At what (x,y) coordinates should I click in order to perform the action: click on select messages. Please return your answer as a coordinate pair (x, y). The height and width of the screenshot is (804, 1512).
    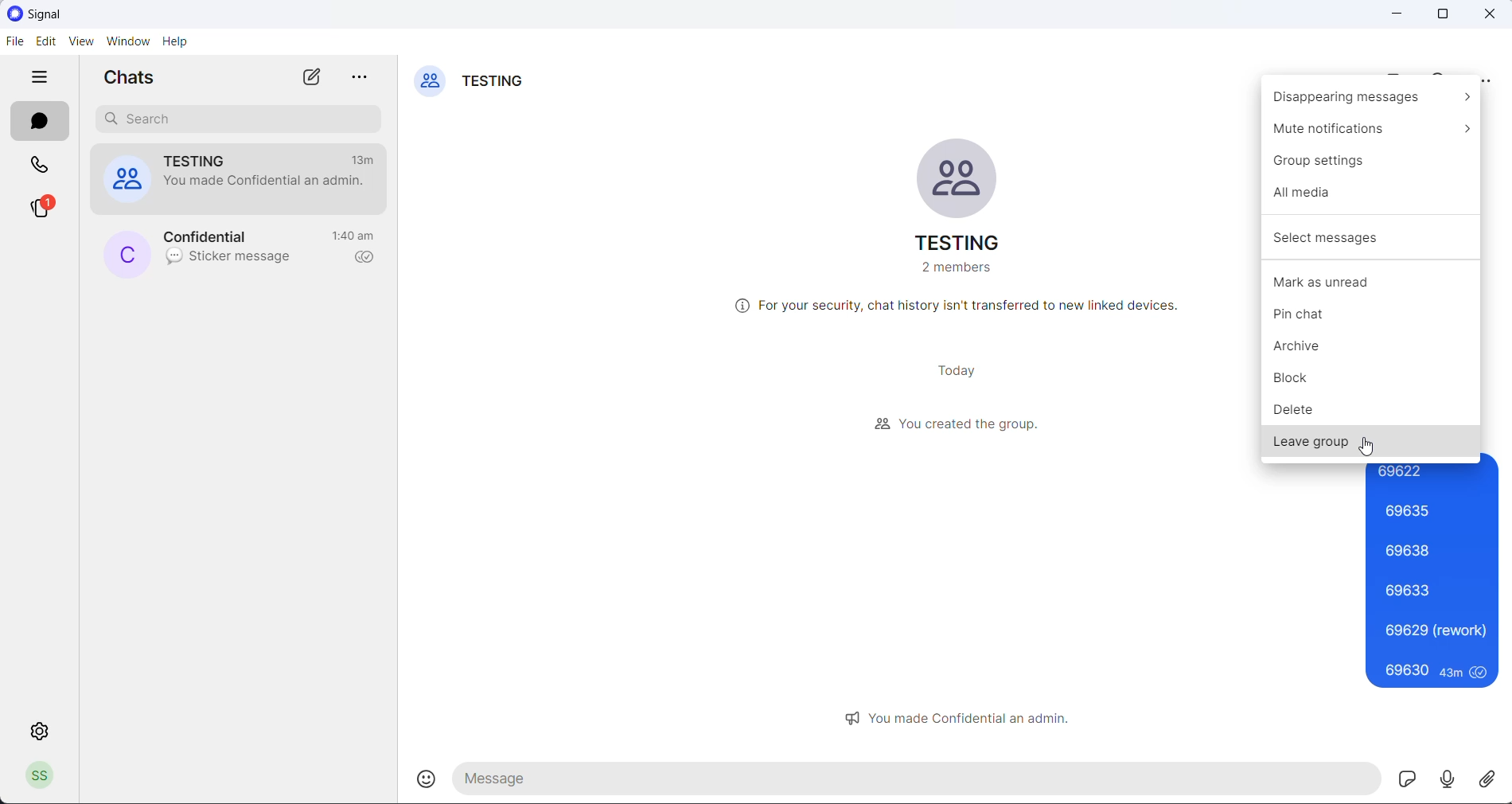
    Looking at the image, I should click on (1369, 240).